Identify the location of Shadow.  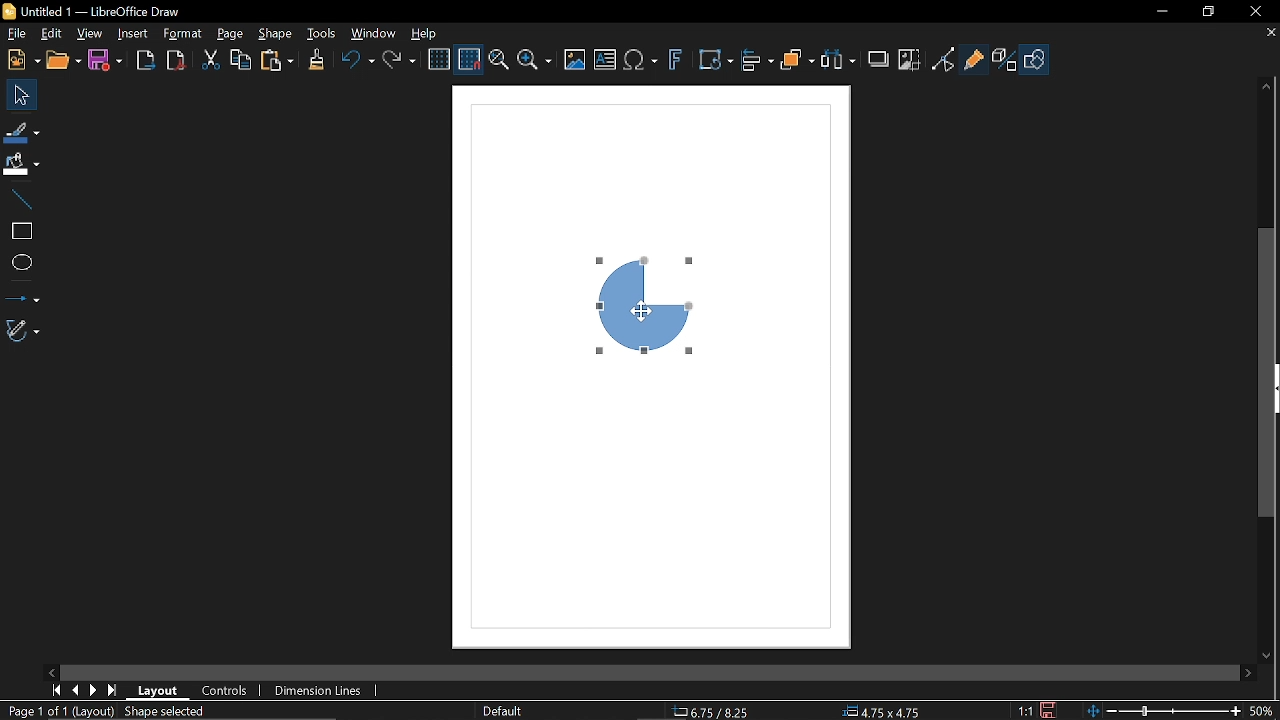
(879, 57).